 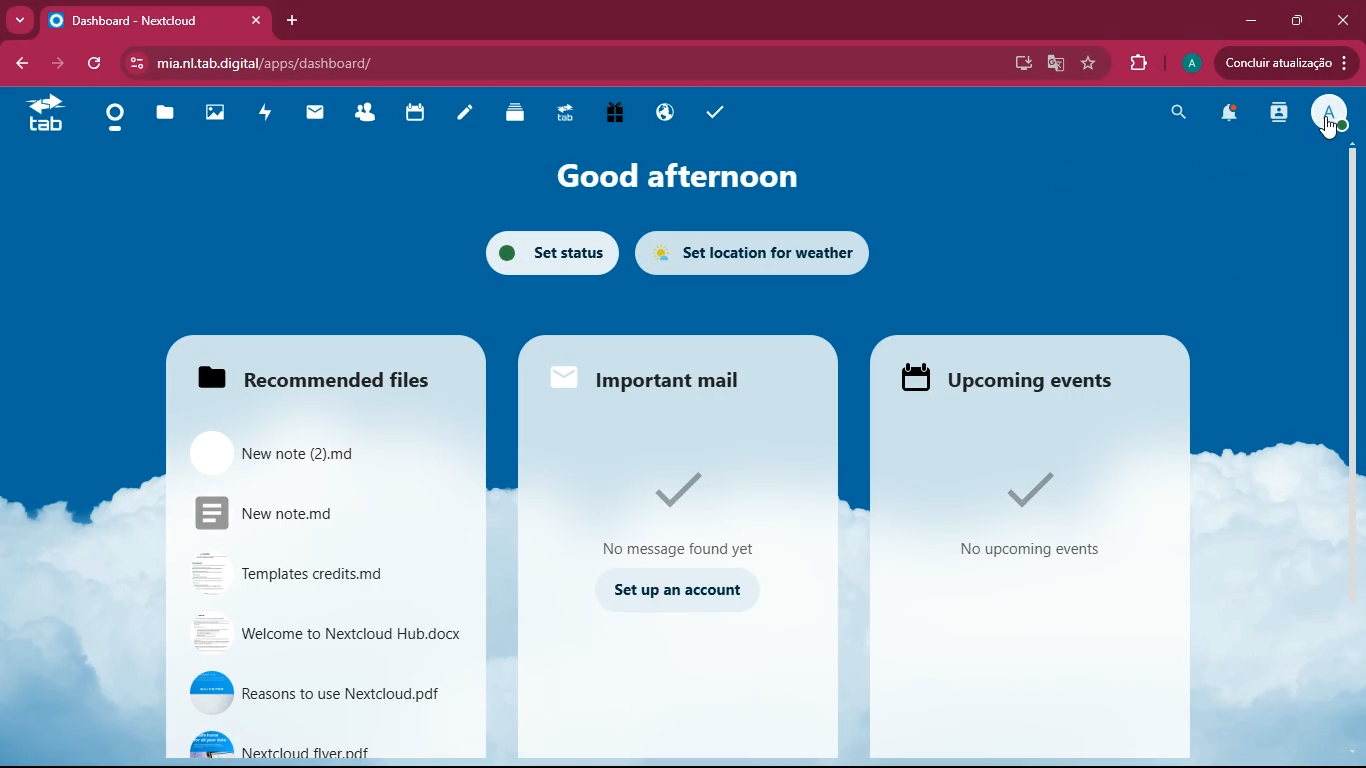 What do you see at coordinates (324, 453) in the screenshot?
I see `file` at bounding box center [324, 453].